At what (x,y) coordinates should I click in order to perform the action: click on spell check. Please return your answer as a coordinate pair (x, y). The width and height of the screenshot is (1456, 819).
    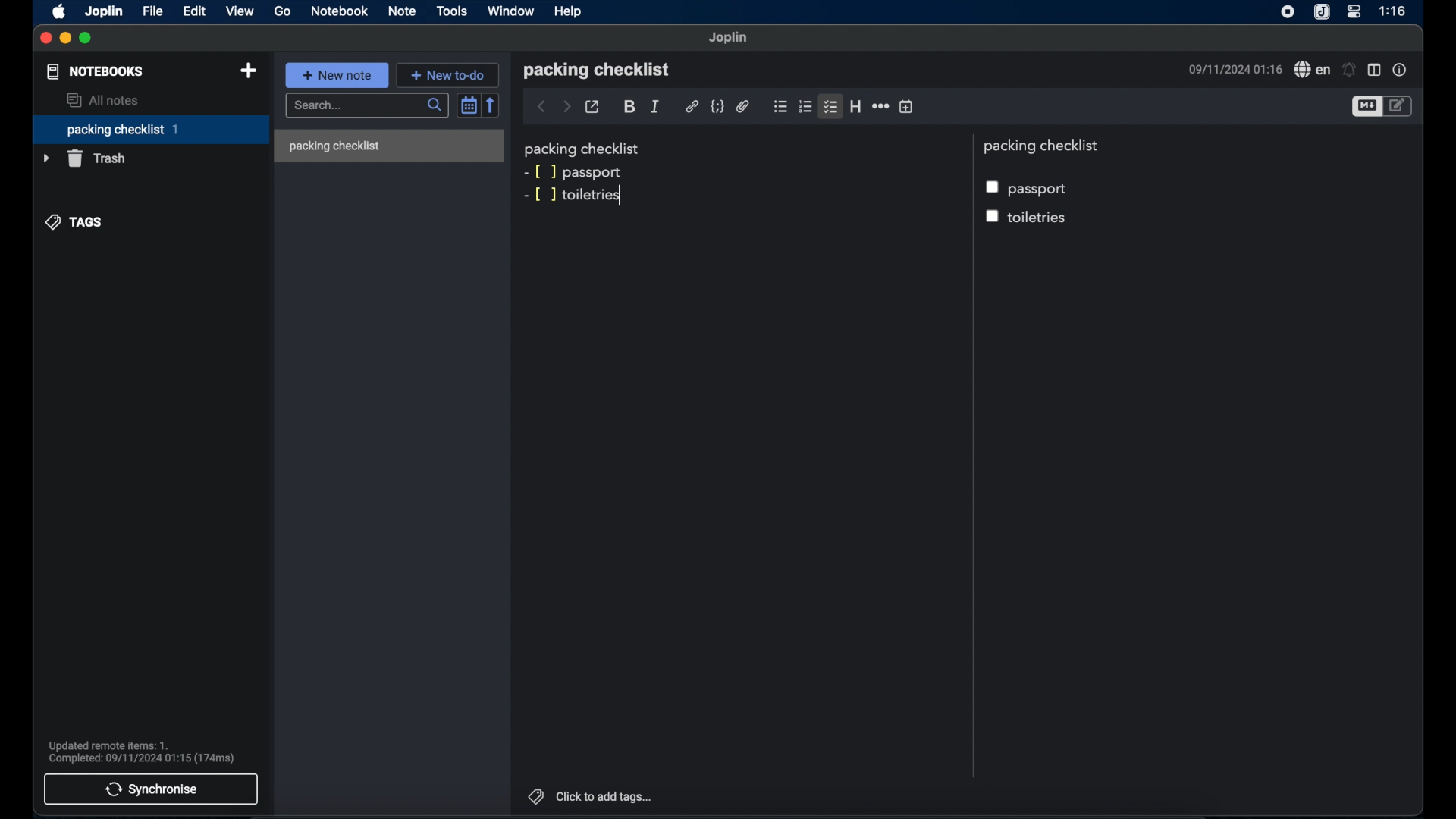
    Looking at the image, I should click on (1312, 70).